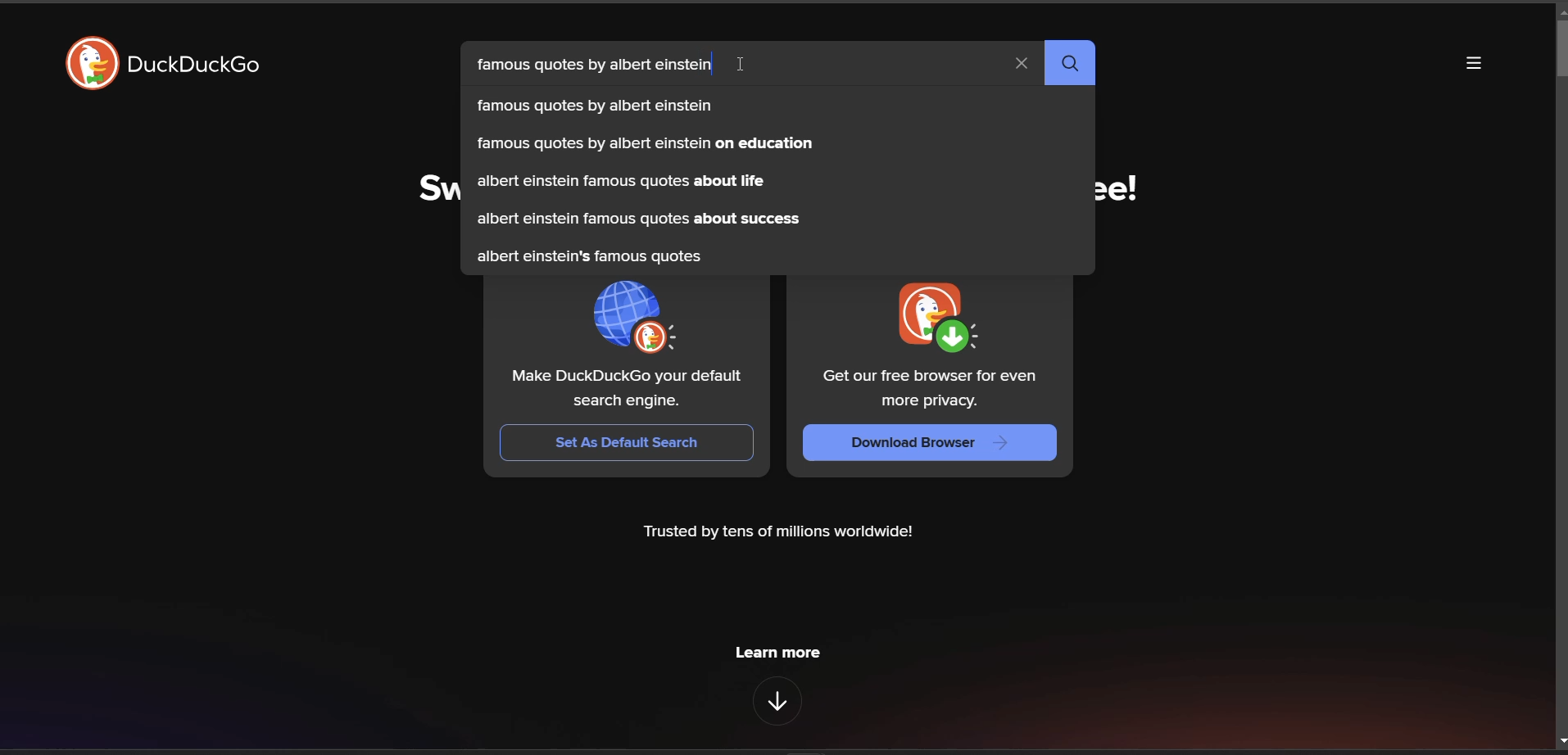 The height and width of the screenshot is (755, 1568). I want to click on DuckDuckGo, so click(196, 65).